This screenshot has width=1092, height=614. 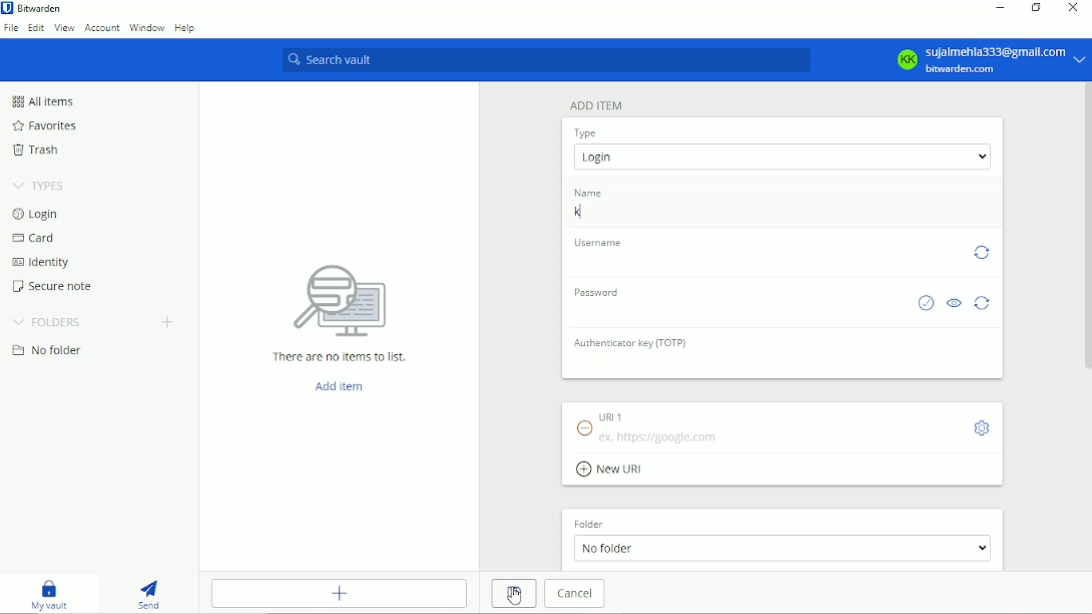 I want to click on Types, so click(x=41, y=185).